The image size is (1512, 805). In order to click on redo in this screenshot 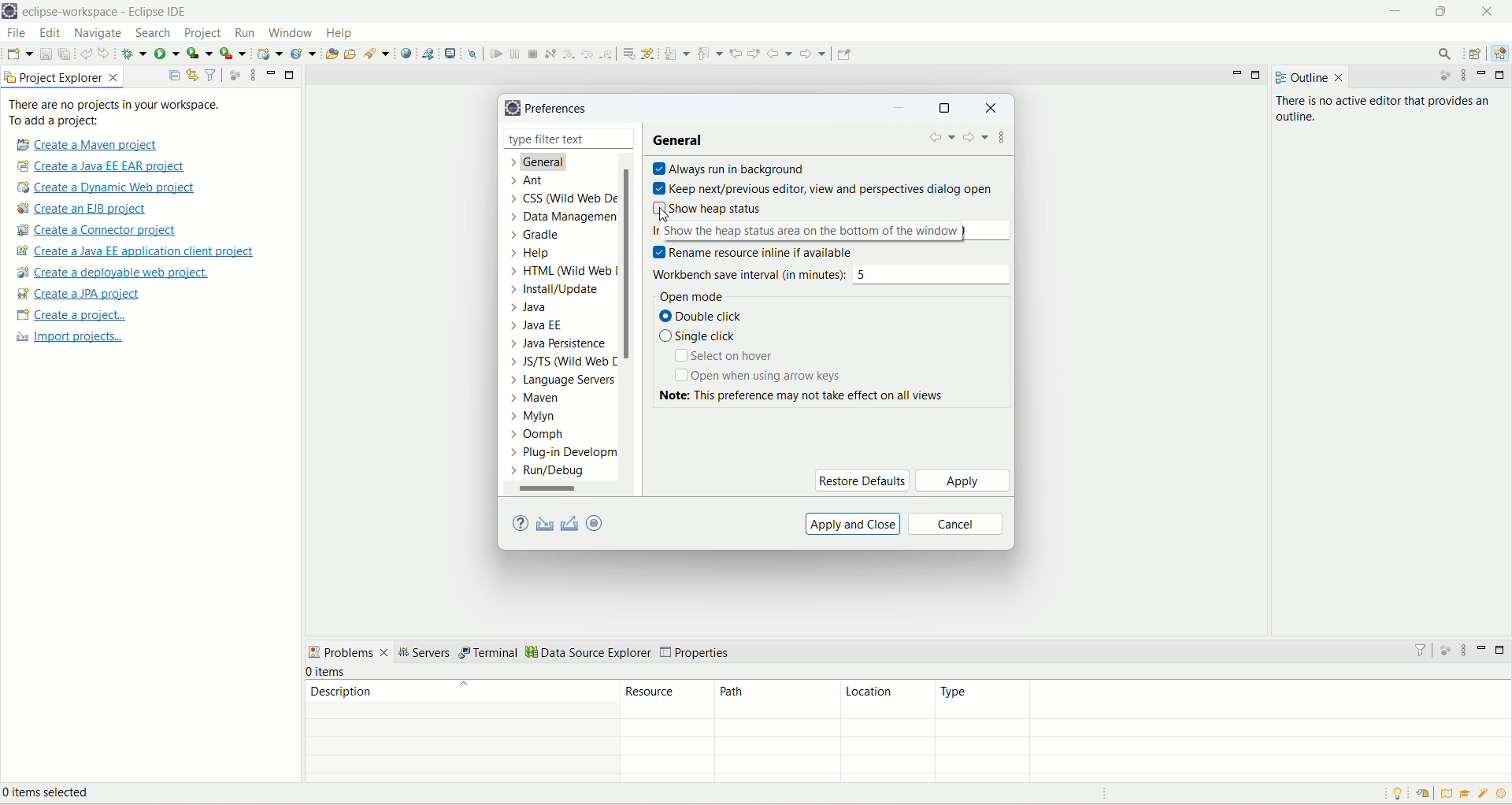, I will do `click(106, 53)`.